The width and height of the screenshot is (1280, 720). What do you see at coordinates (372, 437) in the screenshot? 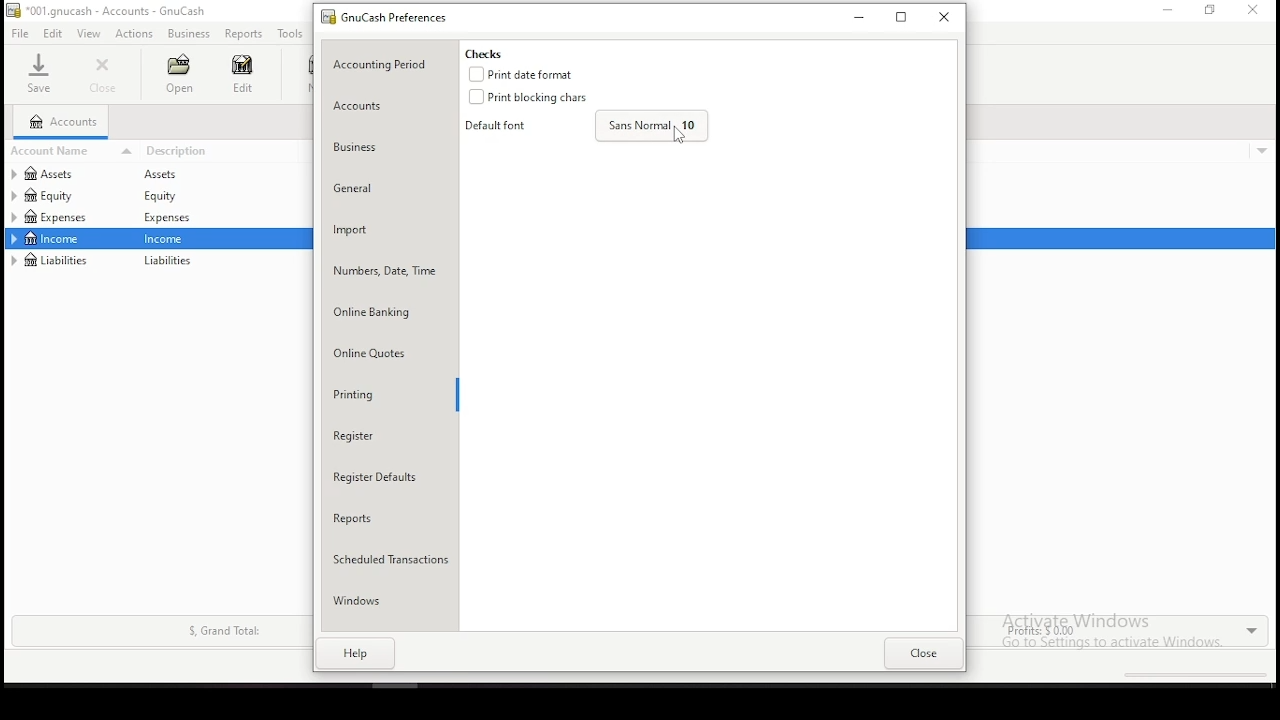
I see `register` at bounding box center [372, 437].